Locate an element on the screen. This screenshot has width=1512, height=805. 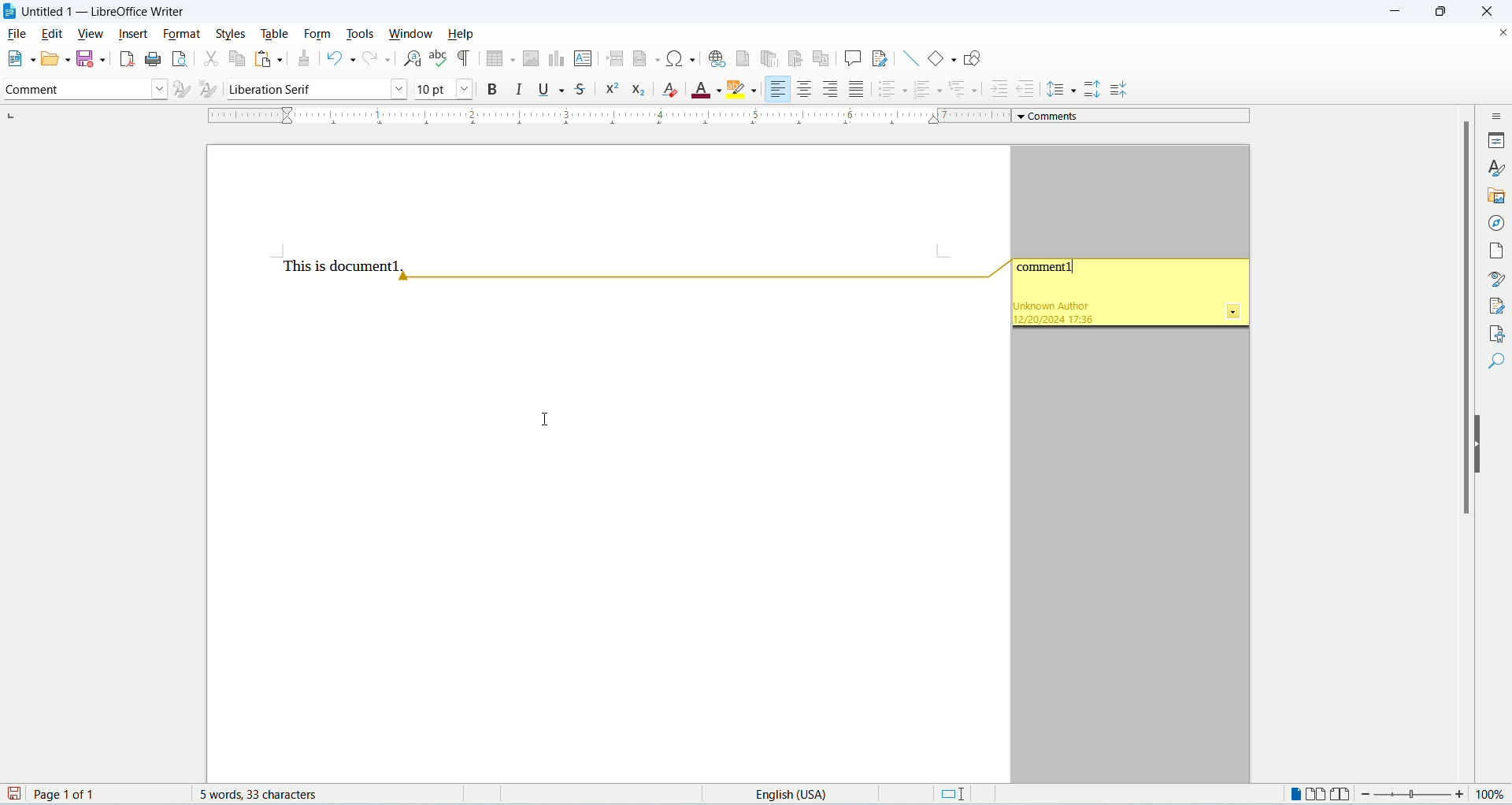
font size is located at coordinates (442, 88).